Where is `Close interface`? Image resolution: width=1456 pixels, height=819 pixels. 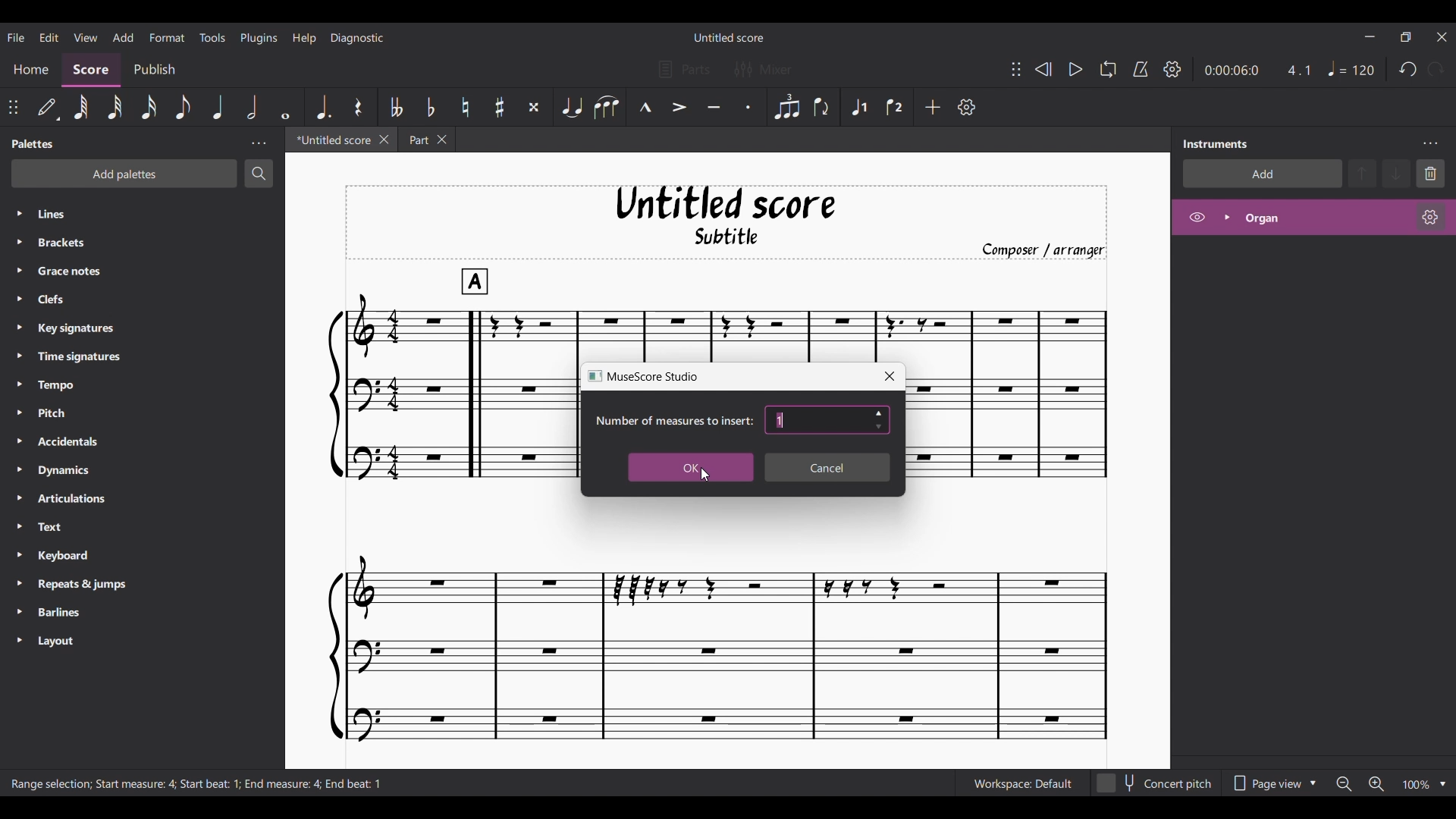
Close interface is located at coordinates (1442, 37).